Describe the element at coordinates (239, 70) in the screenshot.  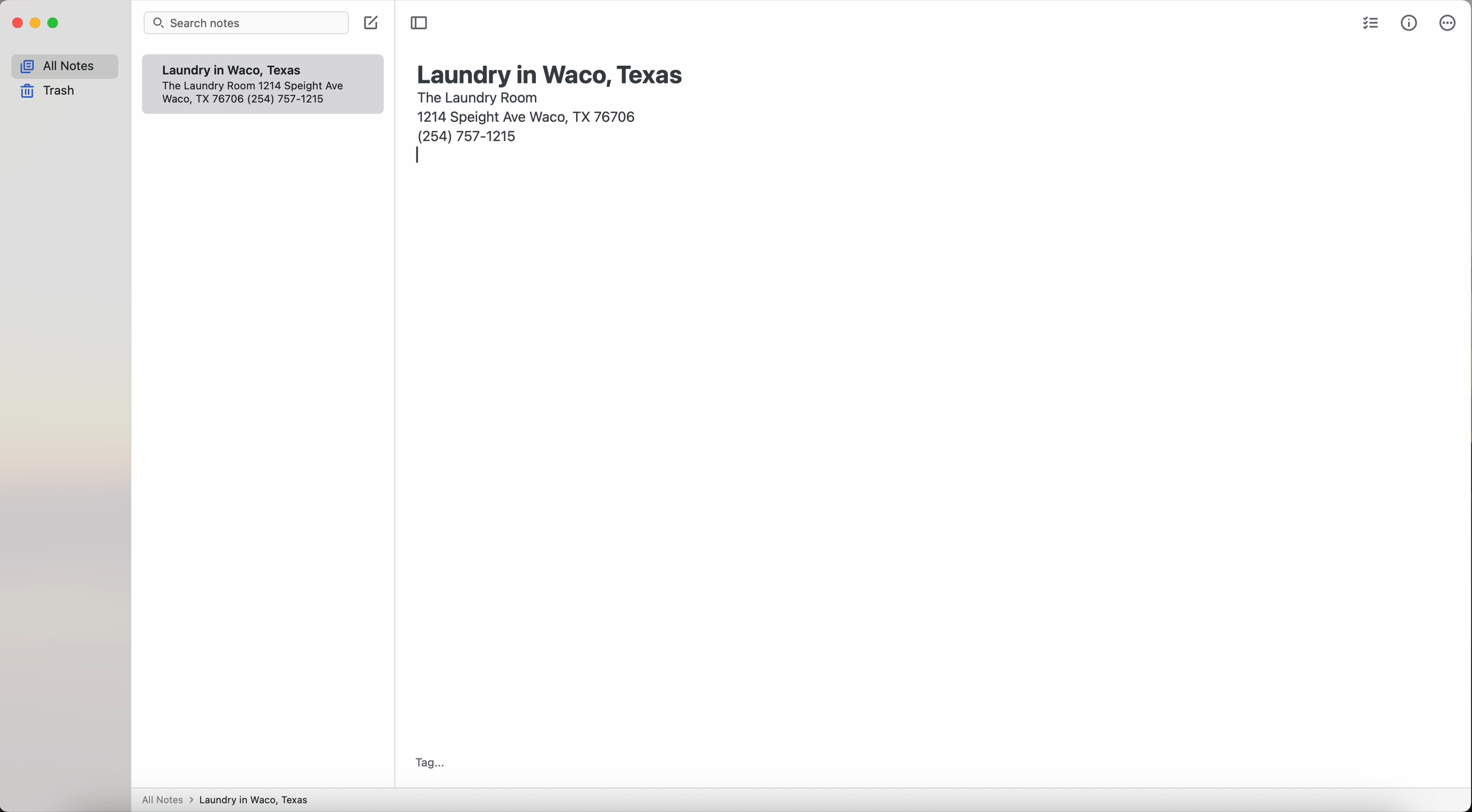
I see `Laundry in Waco, Texas` at that location.